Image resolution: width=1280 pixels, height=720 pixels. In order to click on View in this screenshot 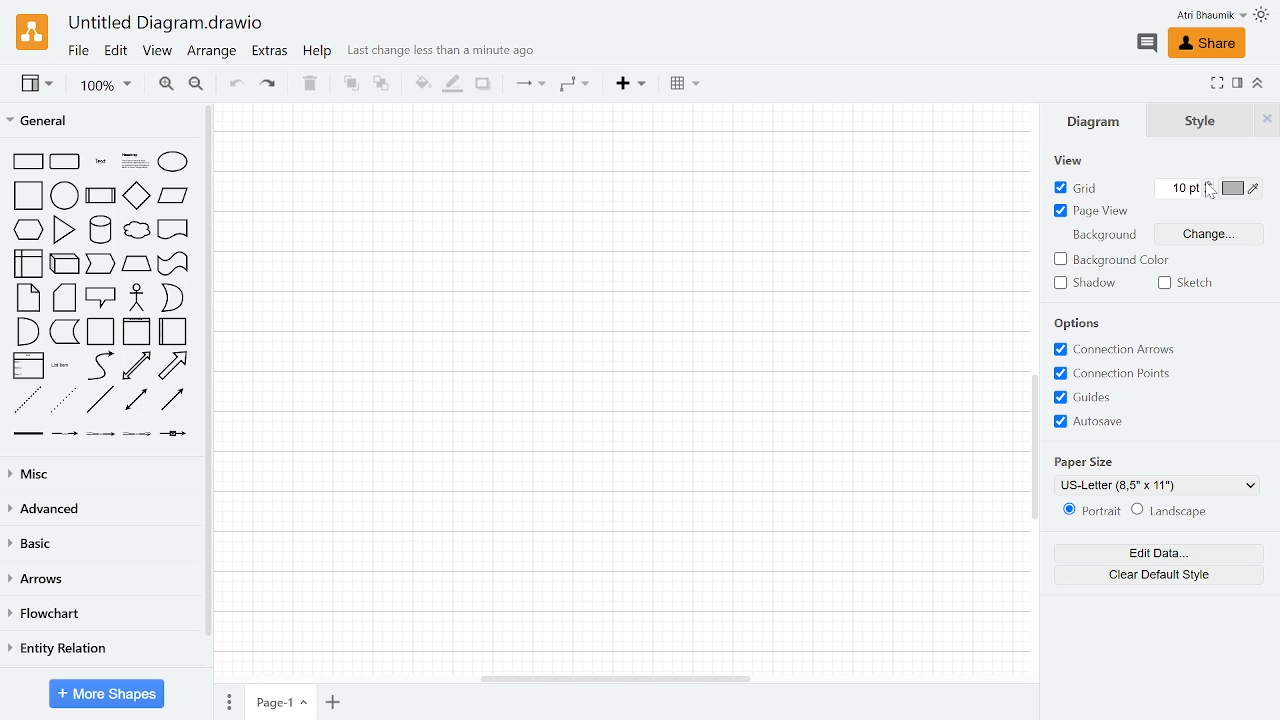, I will do `click(1071, 160)`.